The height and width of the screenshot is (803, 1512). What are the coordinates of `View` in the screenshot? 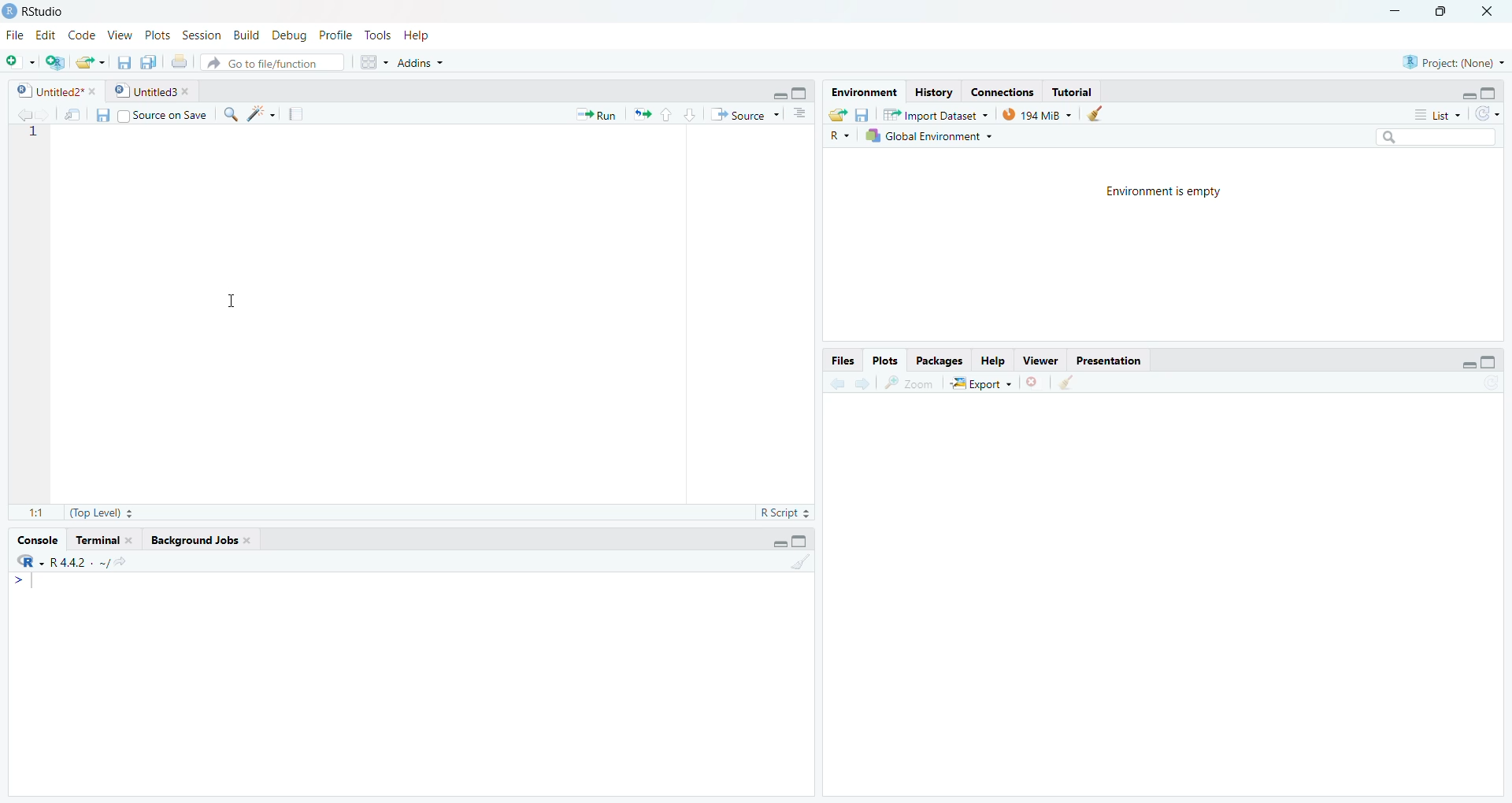 It's located at (117, 36).